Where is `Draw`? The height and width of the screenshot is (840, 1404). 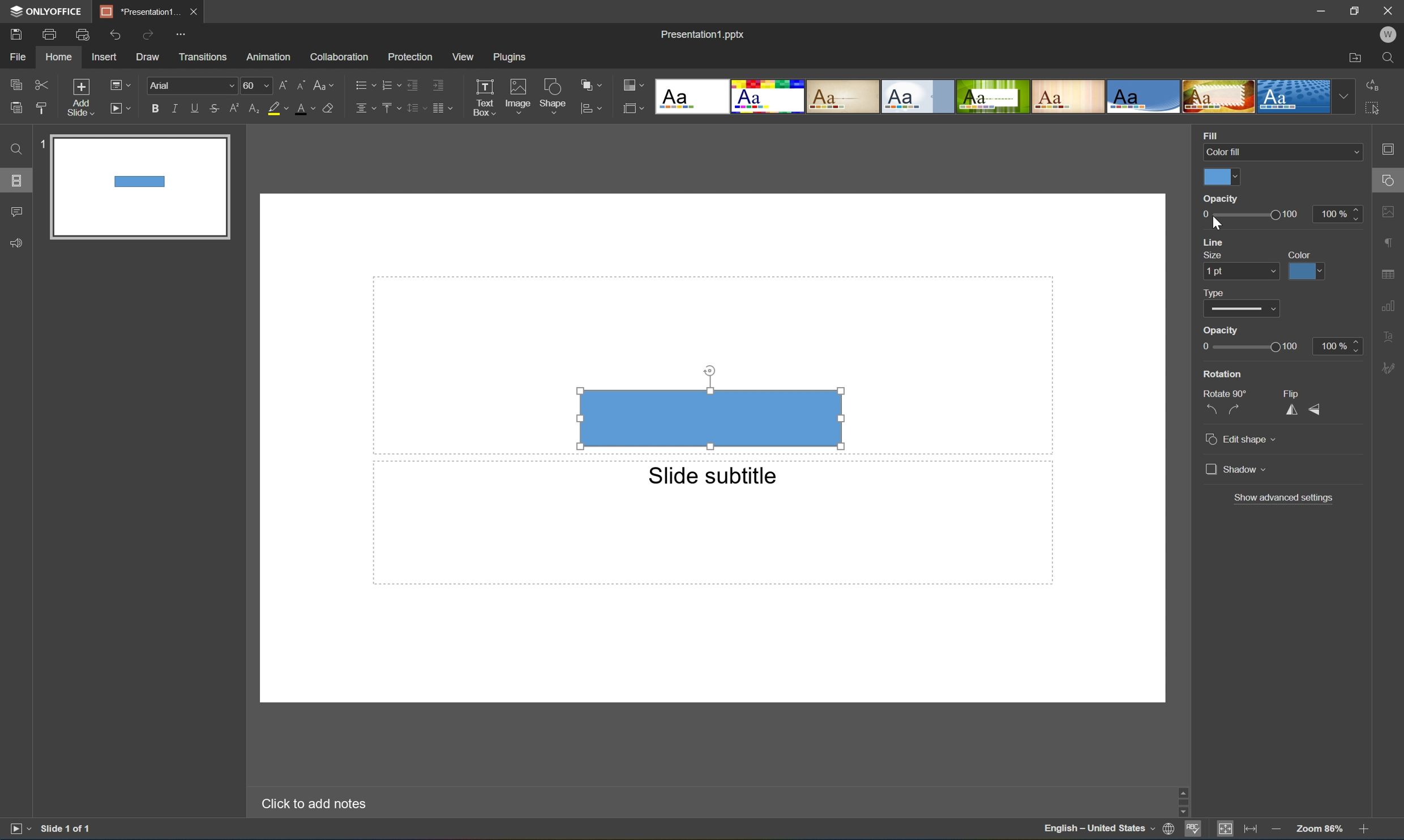
Draw is located at coordinates (149, 58).